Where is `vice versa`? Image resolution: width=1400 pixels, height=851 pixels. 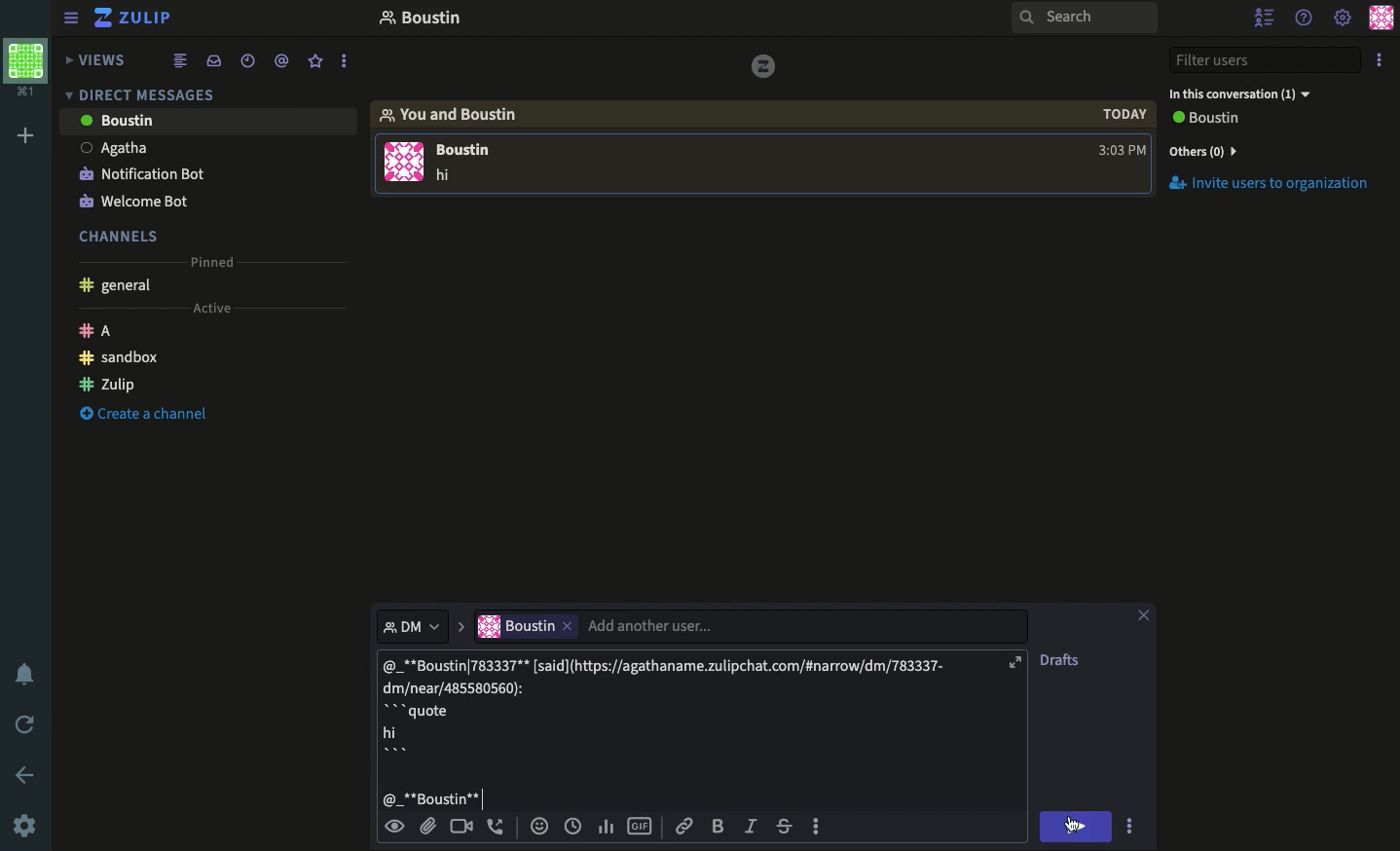 vice versa is located at coordinates (762, 64).